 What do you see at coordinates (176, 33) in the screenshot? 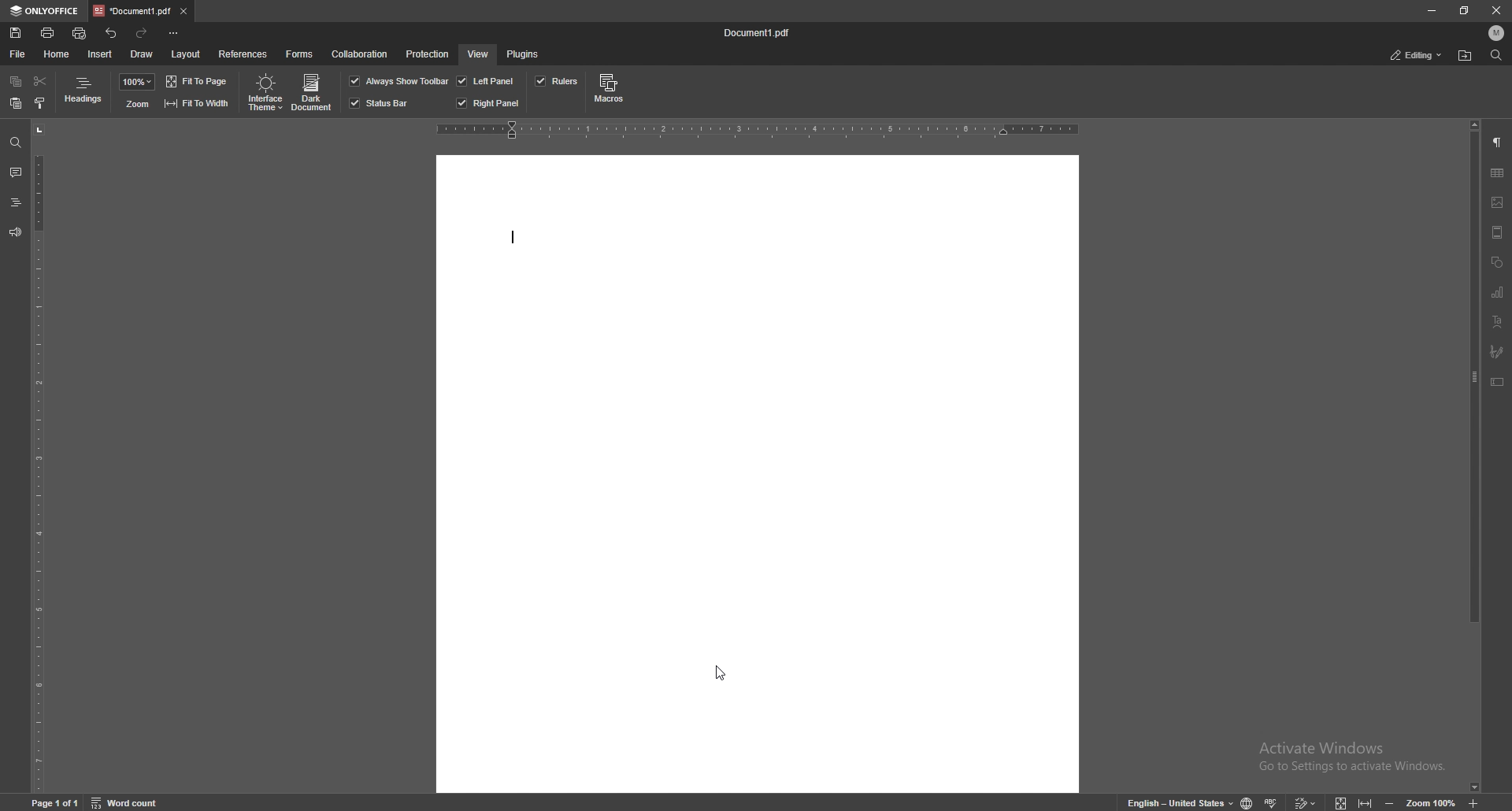
I see `customize toolbar` at bounding box center [176, 33].